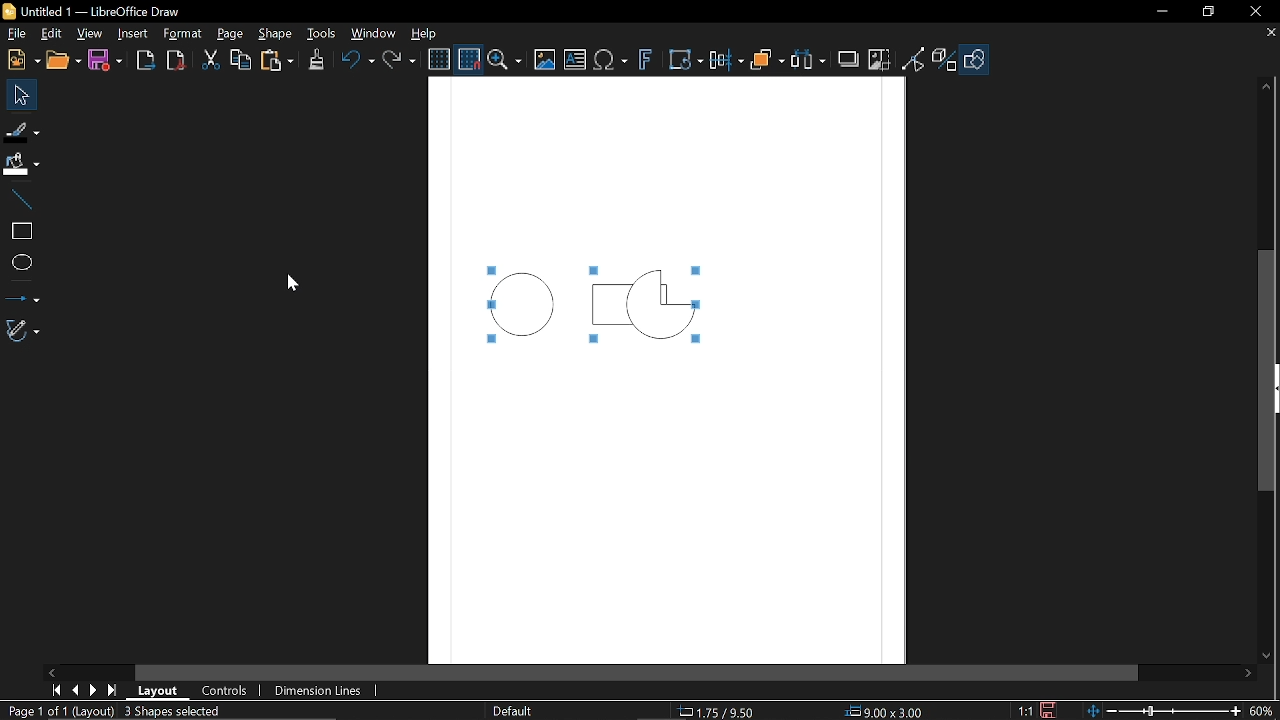 Image resolution: width=1280 pixels, height=720 pixels. Describe the element at coordinates (1261, 710) in the screenshot. I see `60% (Current zoom)` at that location.